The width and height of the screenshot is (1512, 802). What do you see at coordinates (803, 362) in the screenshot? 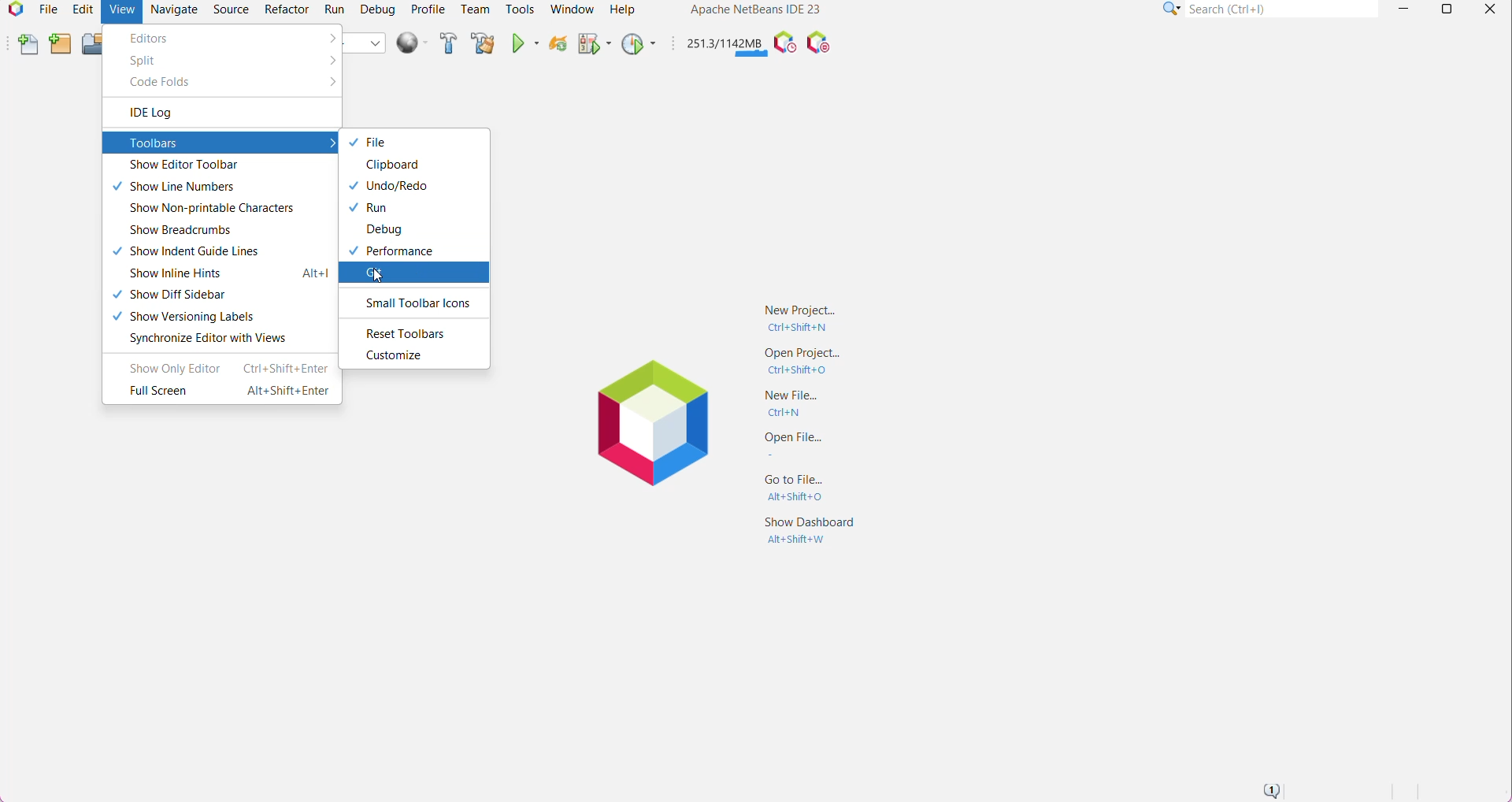
I see `Open Project` at bounding box center [803, 362].